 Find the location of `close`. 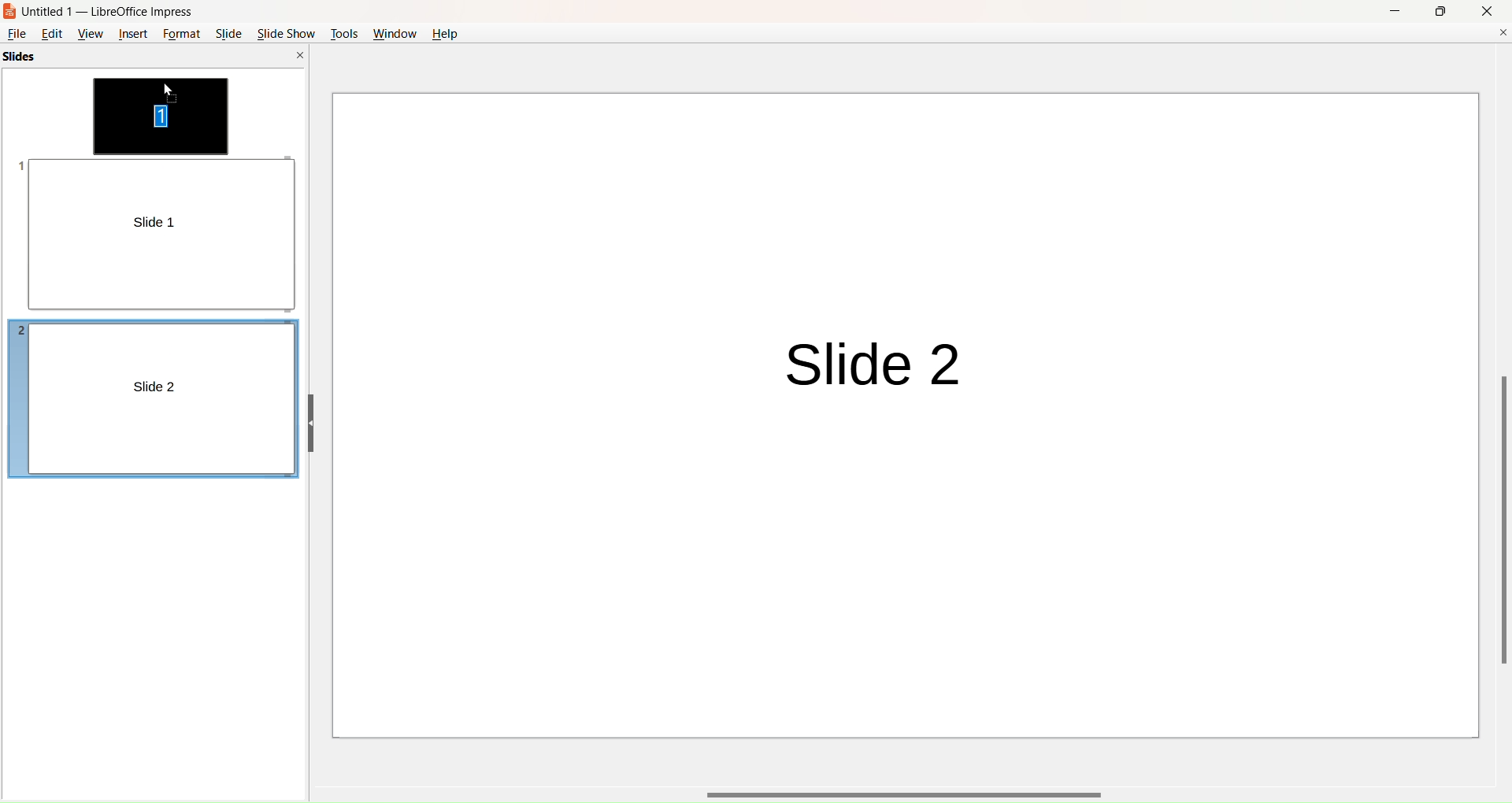

close is located at coordinates (1490, 13).